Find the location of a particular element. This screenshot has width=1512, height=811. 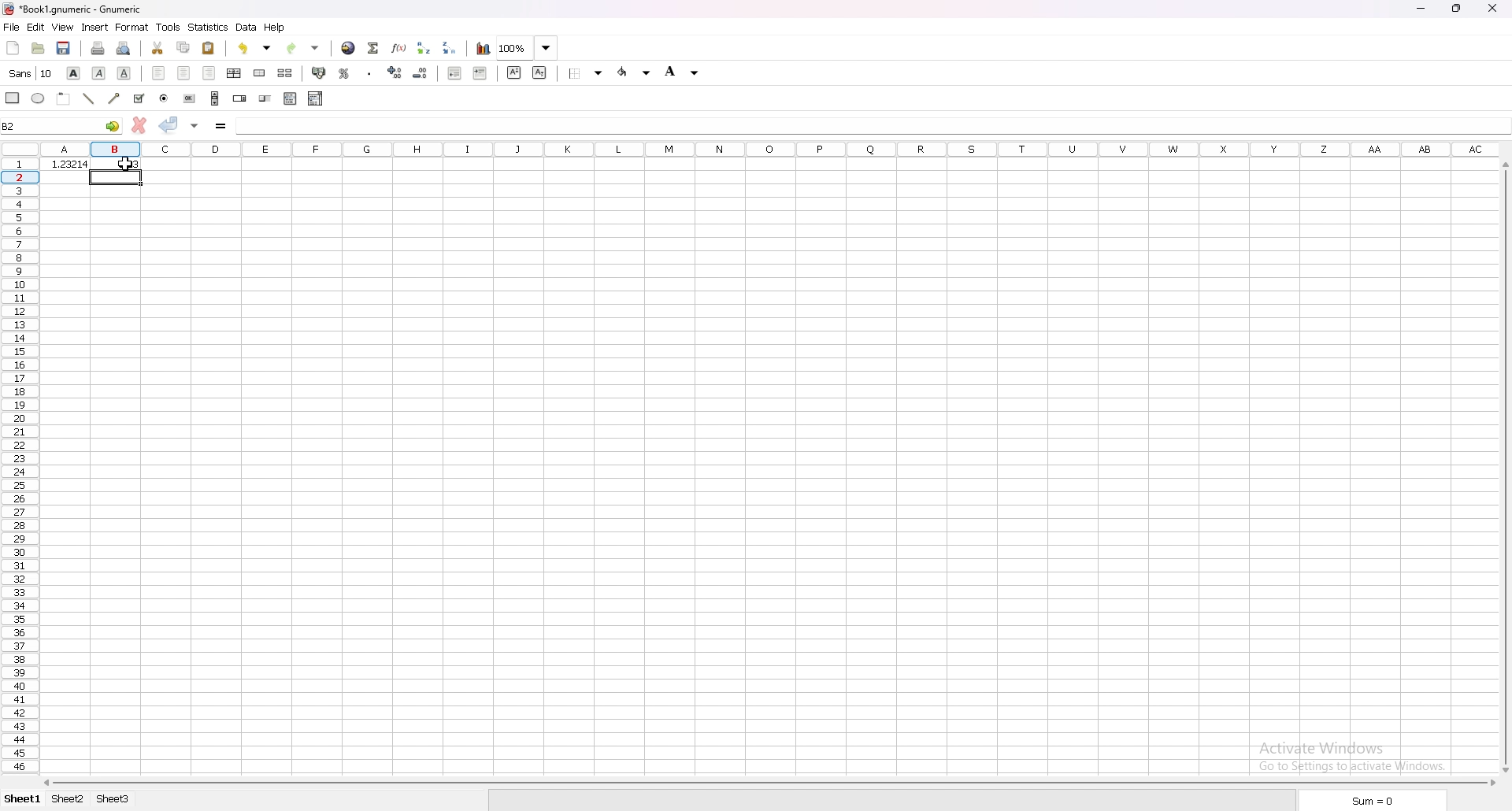

function is located at coordinates (399, 47).